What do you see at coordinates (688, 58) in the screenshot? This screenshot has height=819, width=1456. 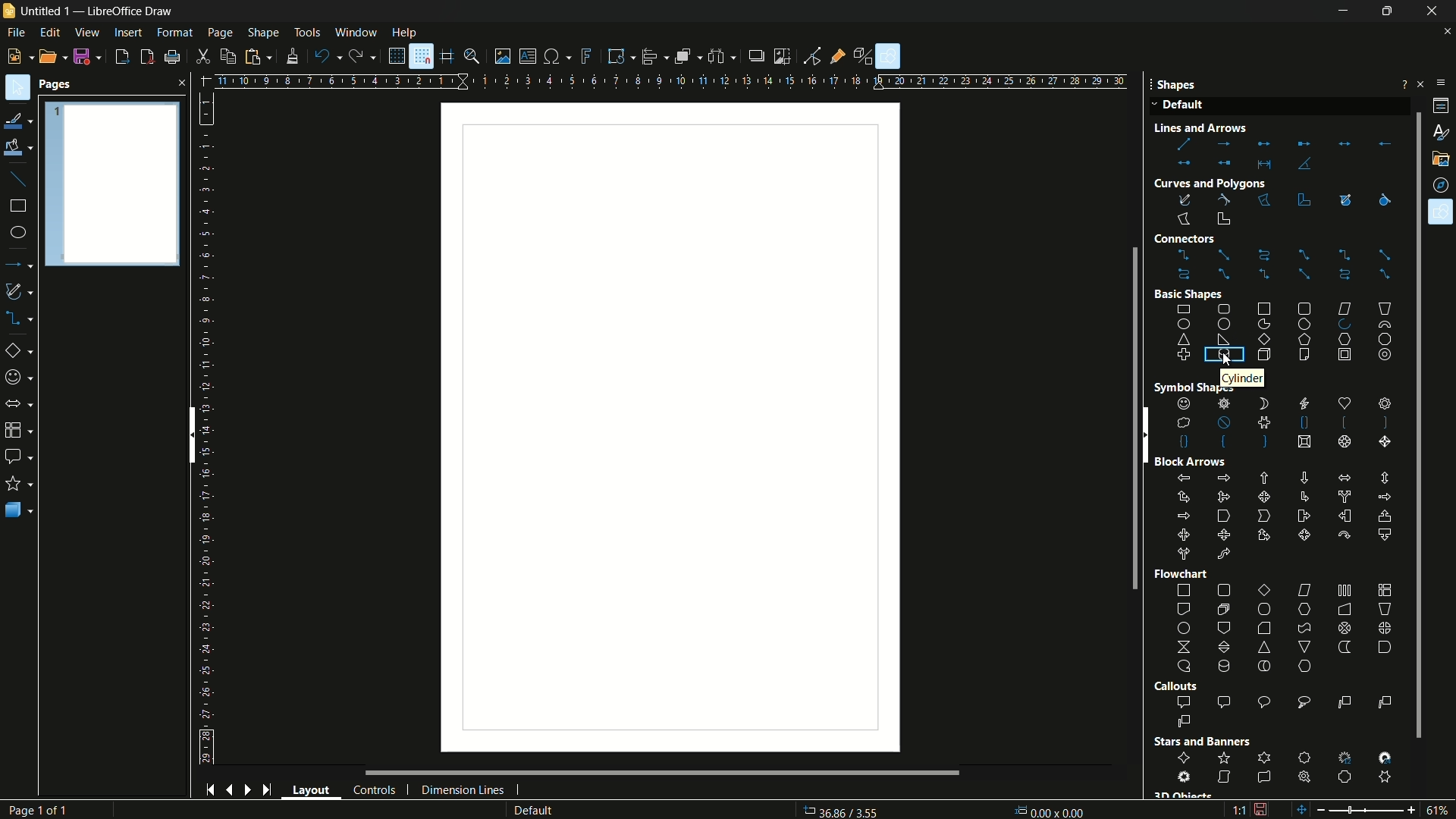 I see `arrange` at bounding box center [688, 58].